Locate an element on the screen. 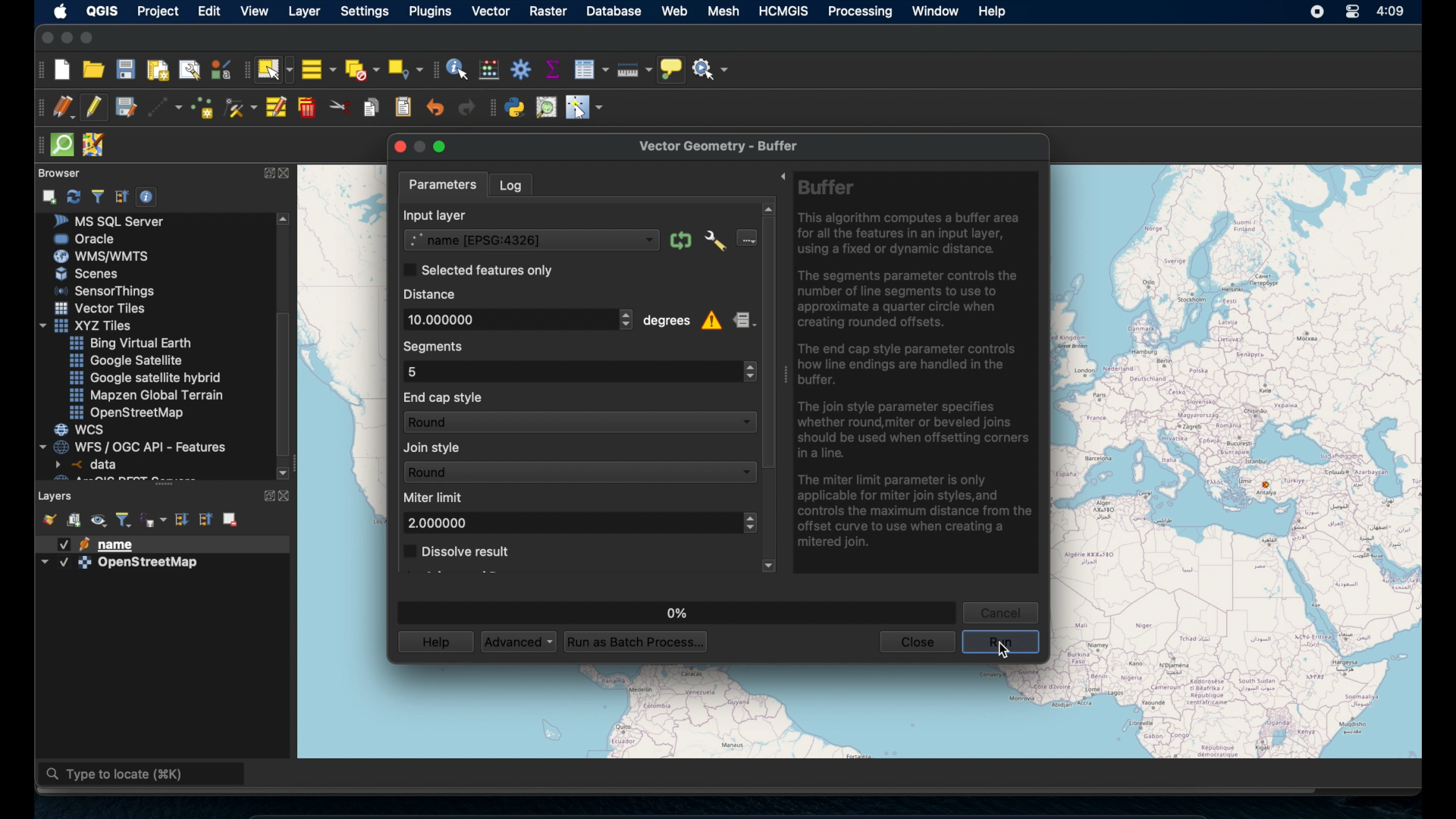 The width and height of the screenshot is (1456, 819). select features by area or single click is located at coordinates (275, 69).